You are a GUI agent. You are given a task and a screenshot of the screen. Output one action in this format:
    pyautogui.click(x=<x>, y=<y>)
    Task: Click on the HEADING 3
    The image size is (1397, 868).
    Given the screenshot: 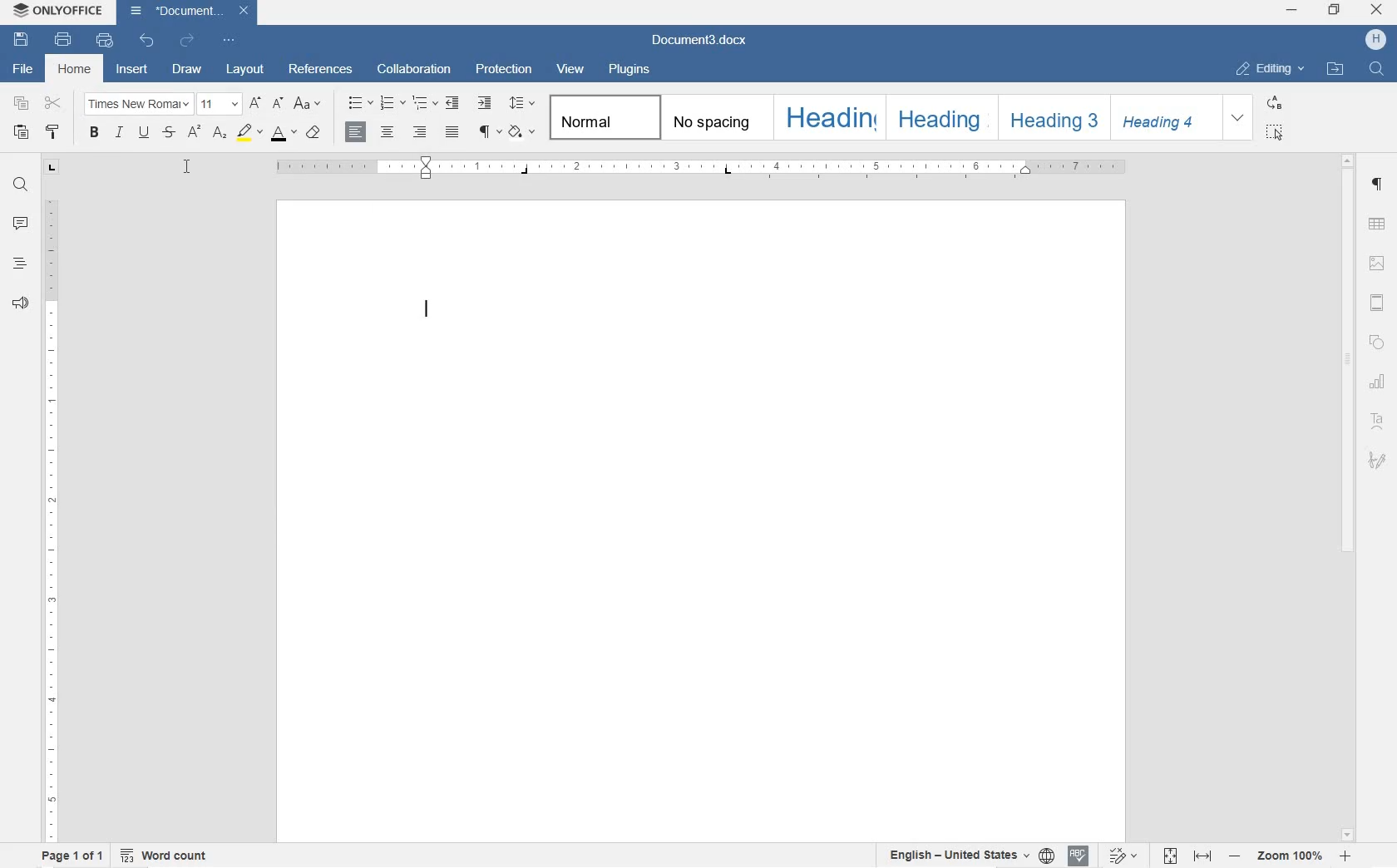 What is the action you would take?
    pyautogui.click(x=1049, y=118)
    